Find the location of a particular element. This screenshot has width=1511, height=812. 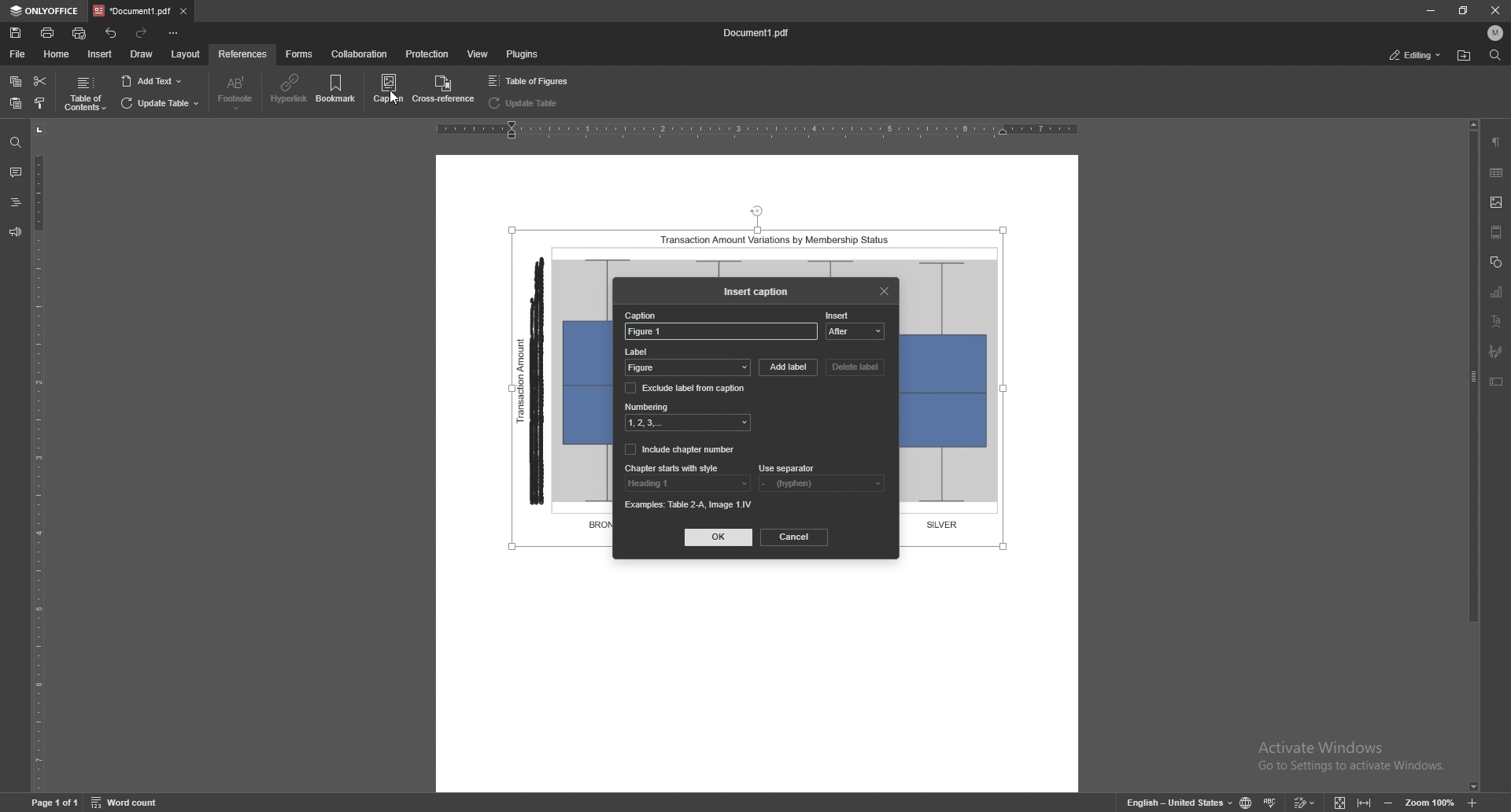

image is located at coordinates (1498, 202).